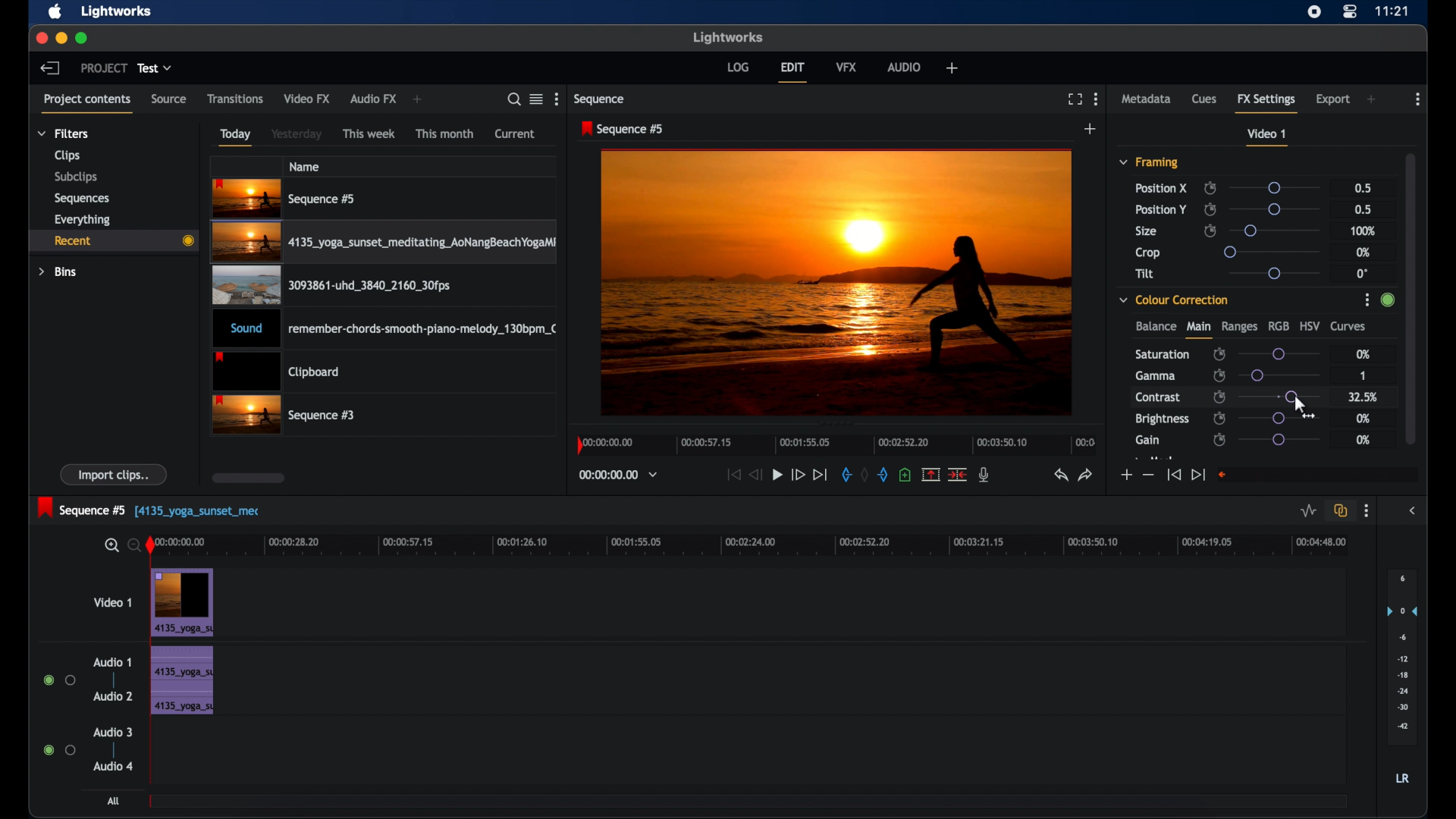 The width and height of the screenshot is (1456, 819). Describe the element at coordinates (111, 662) in the screenshot. I see `audio 1` at that location.